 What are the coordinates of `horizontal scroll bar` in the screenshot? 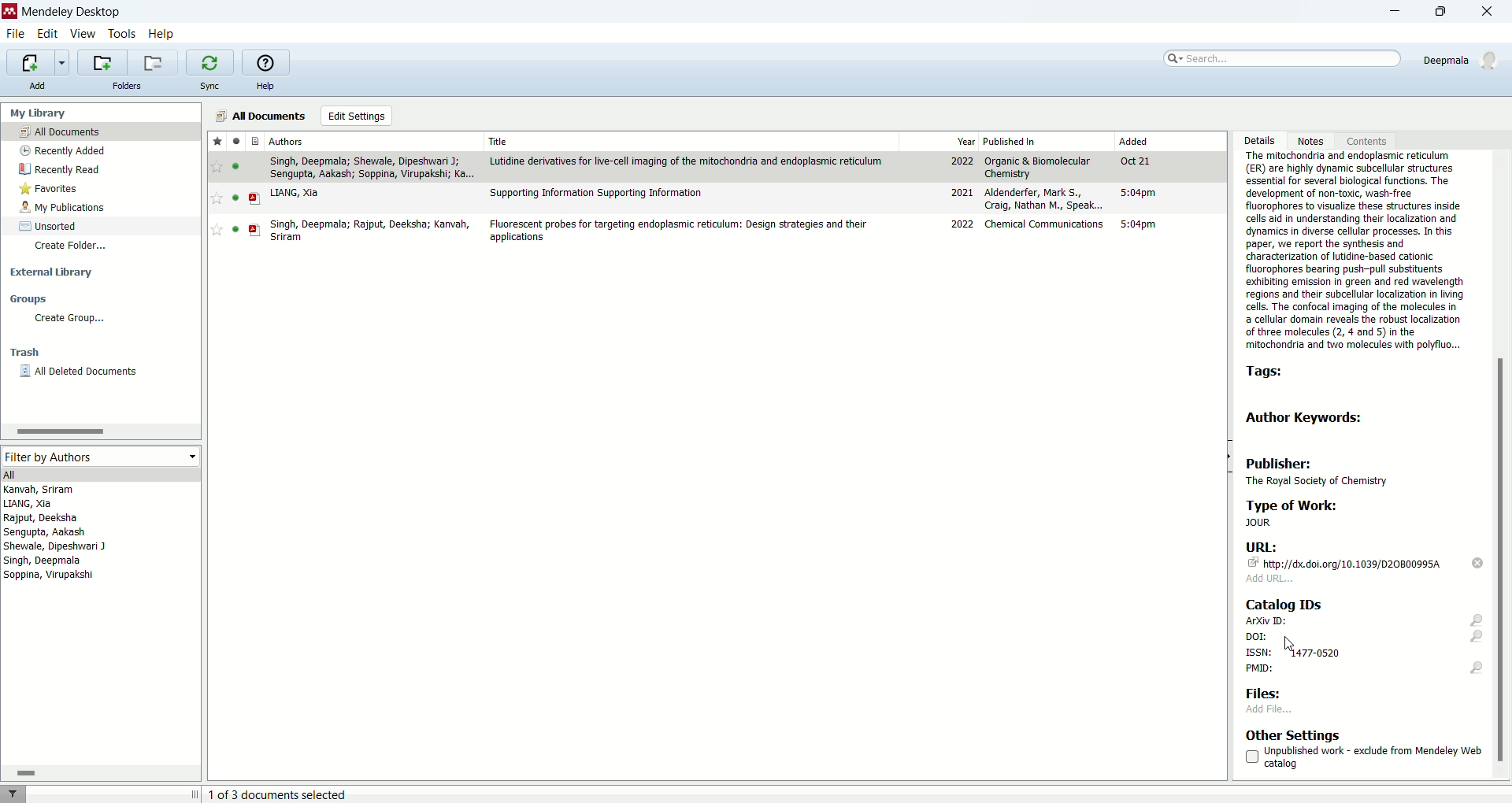 It's located at (99, 431).